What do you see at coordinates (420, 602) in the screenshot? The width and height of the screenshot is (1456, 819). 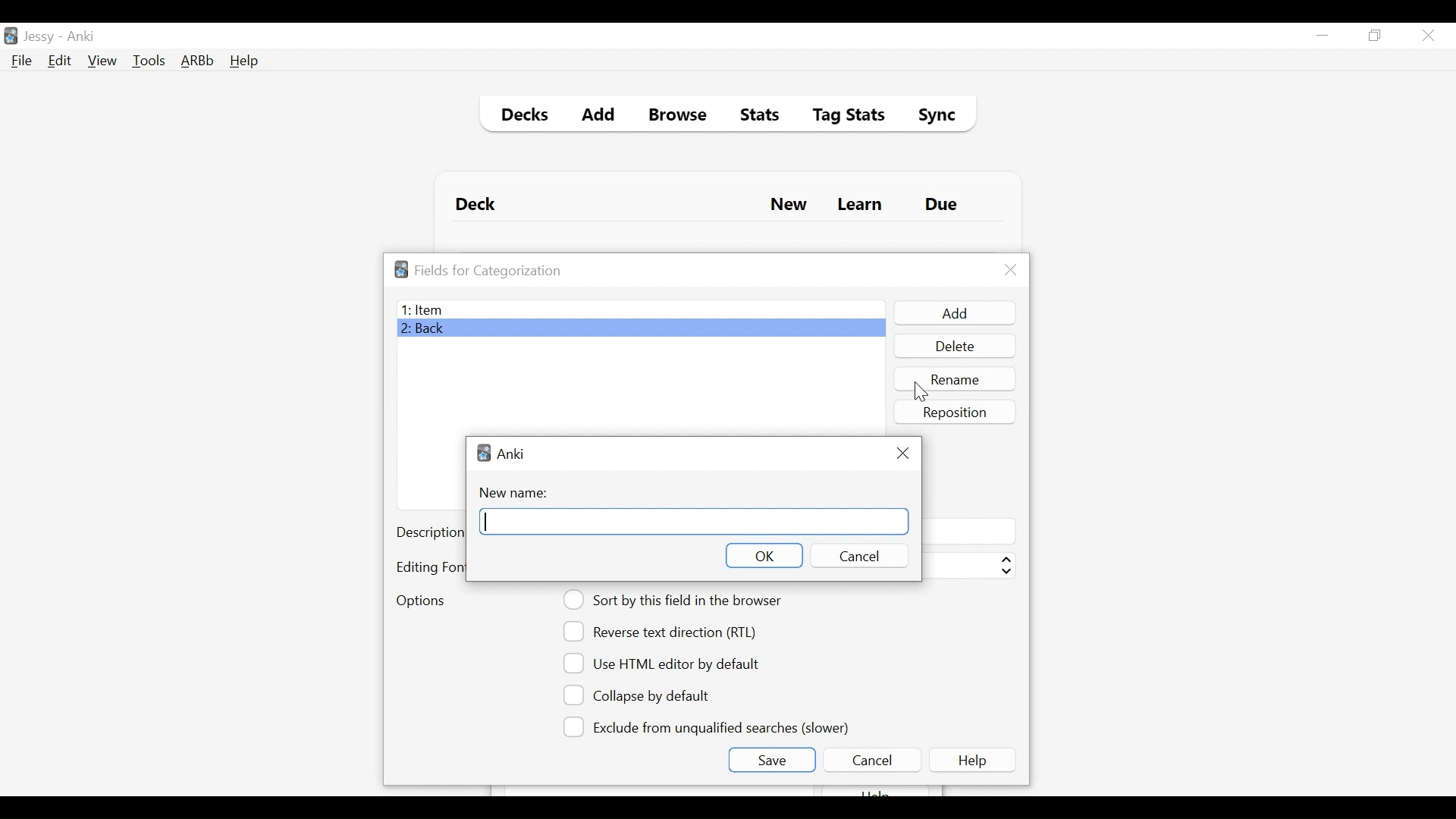 I see `Options` at bounding box center [420, 602].